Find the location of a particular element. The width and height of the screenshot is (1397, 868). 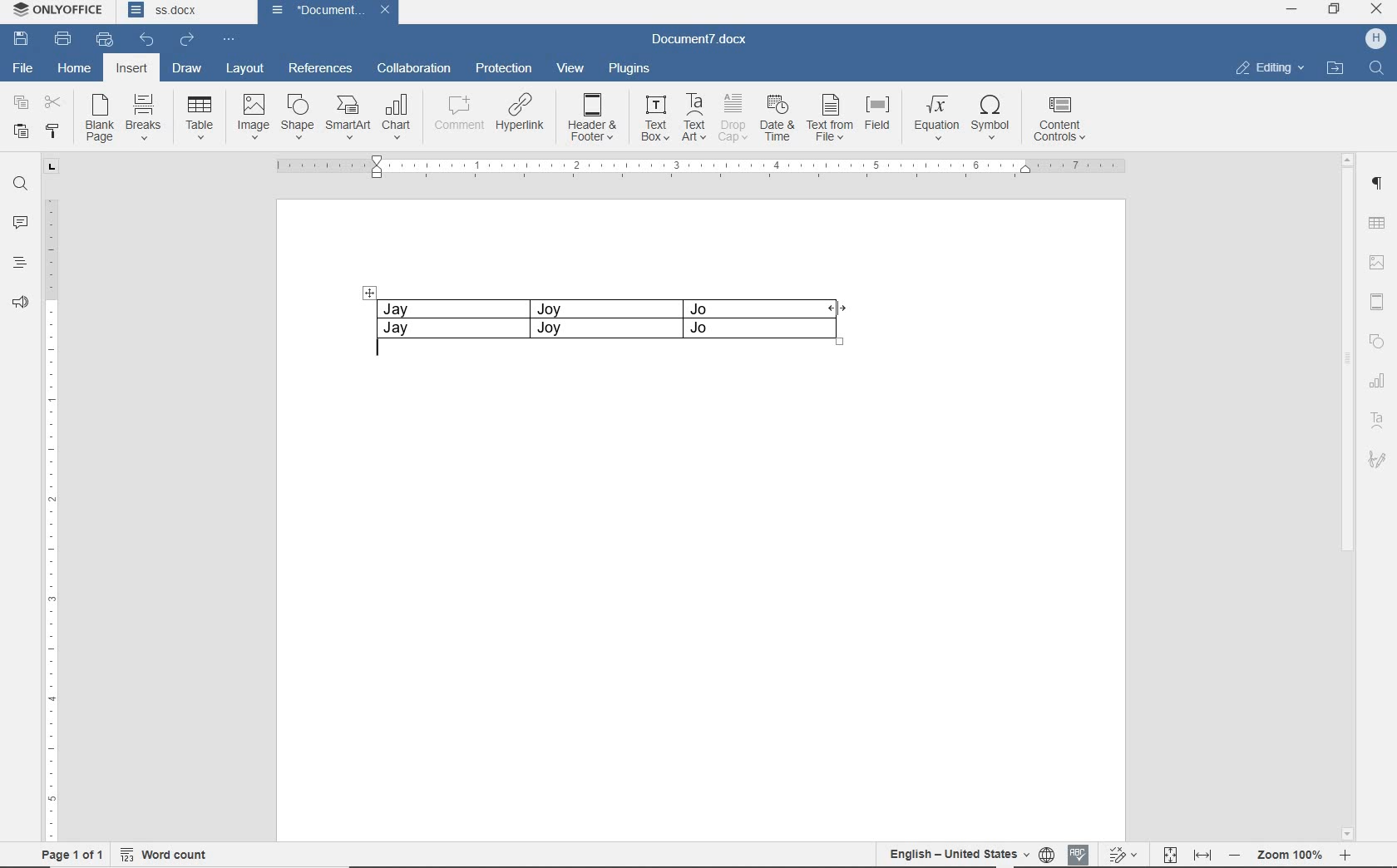

REFERENCES is located at coordinates (320, 68).